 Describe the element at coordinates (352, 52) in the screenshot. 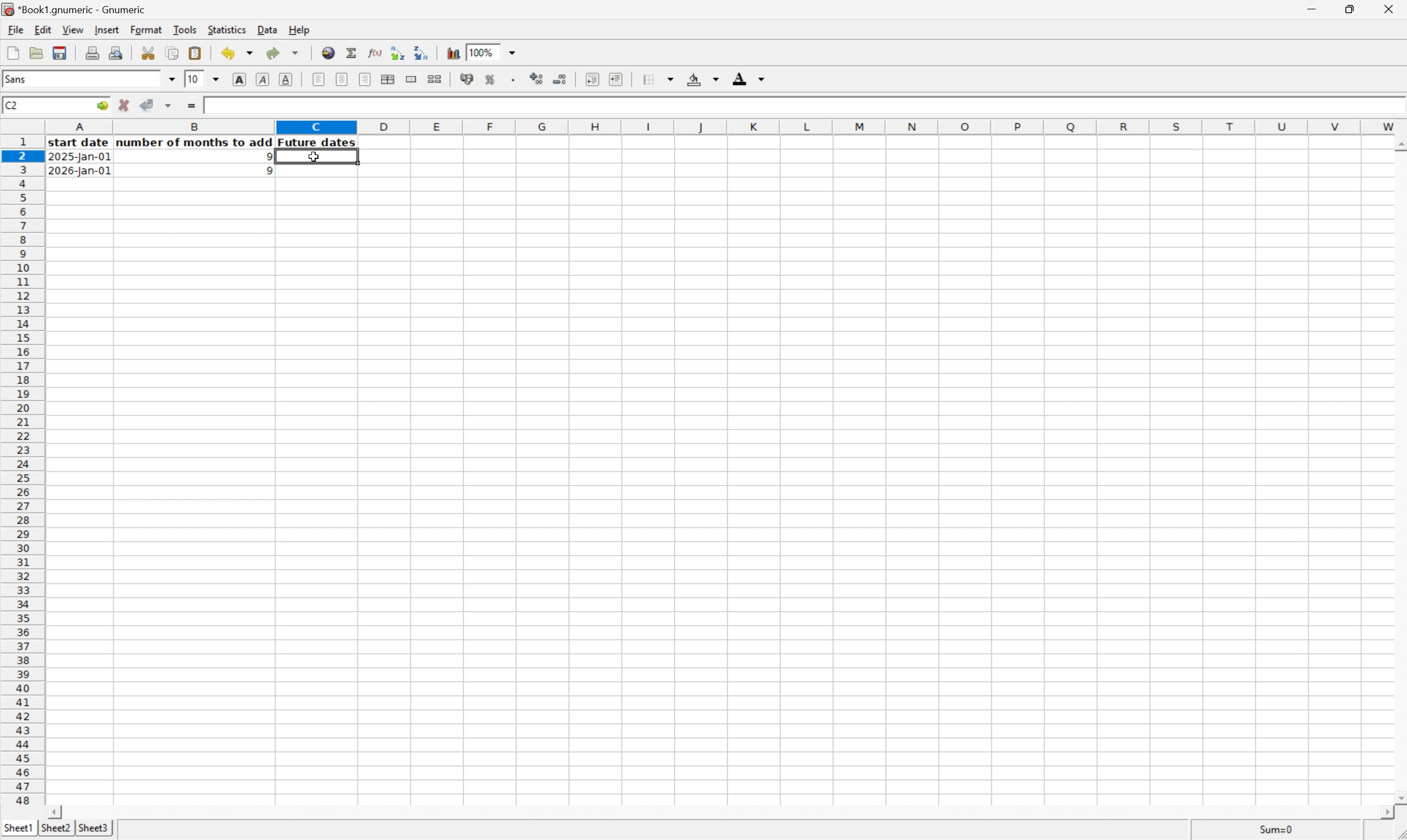

I see `Sum in current cell` at that location.